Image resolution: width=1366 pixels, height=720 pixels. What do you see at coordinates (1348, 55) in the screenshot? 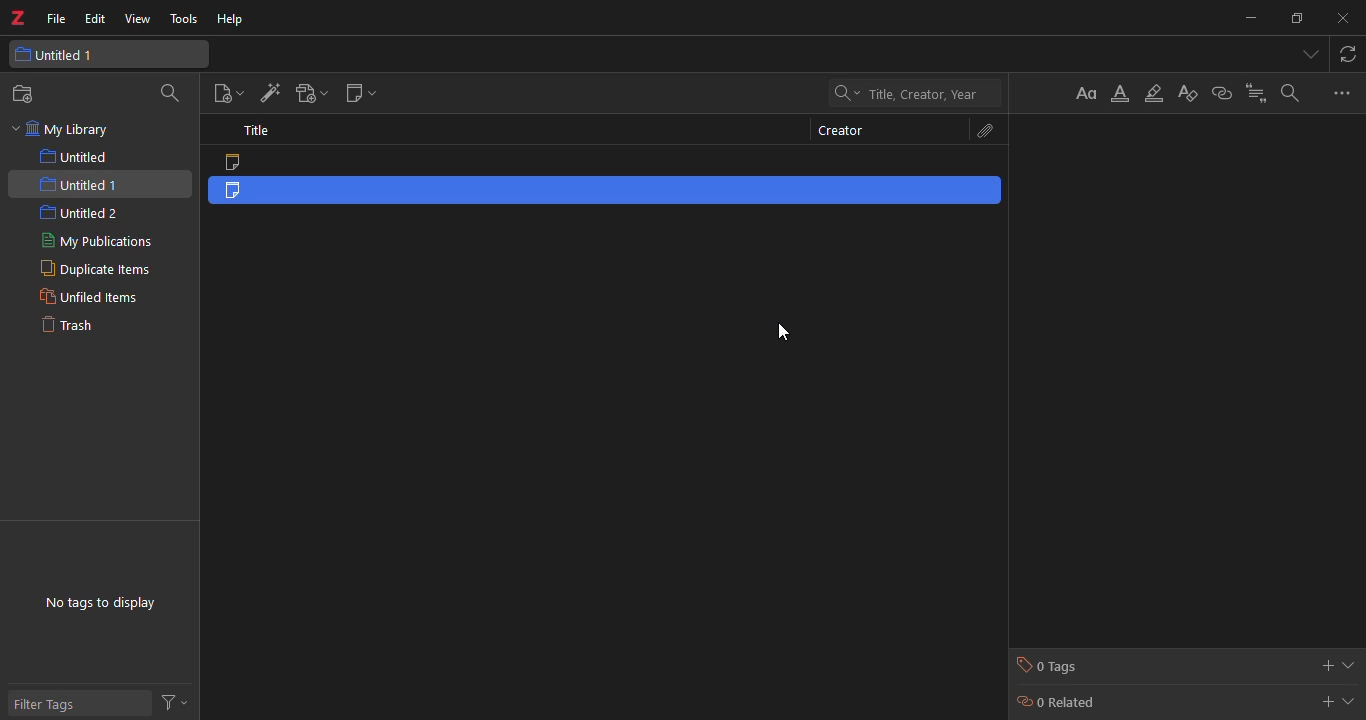
I see `sync` at bounding box center [1348, 55].